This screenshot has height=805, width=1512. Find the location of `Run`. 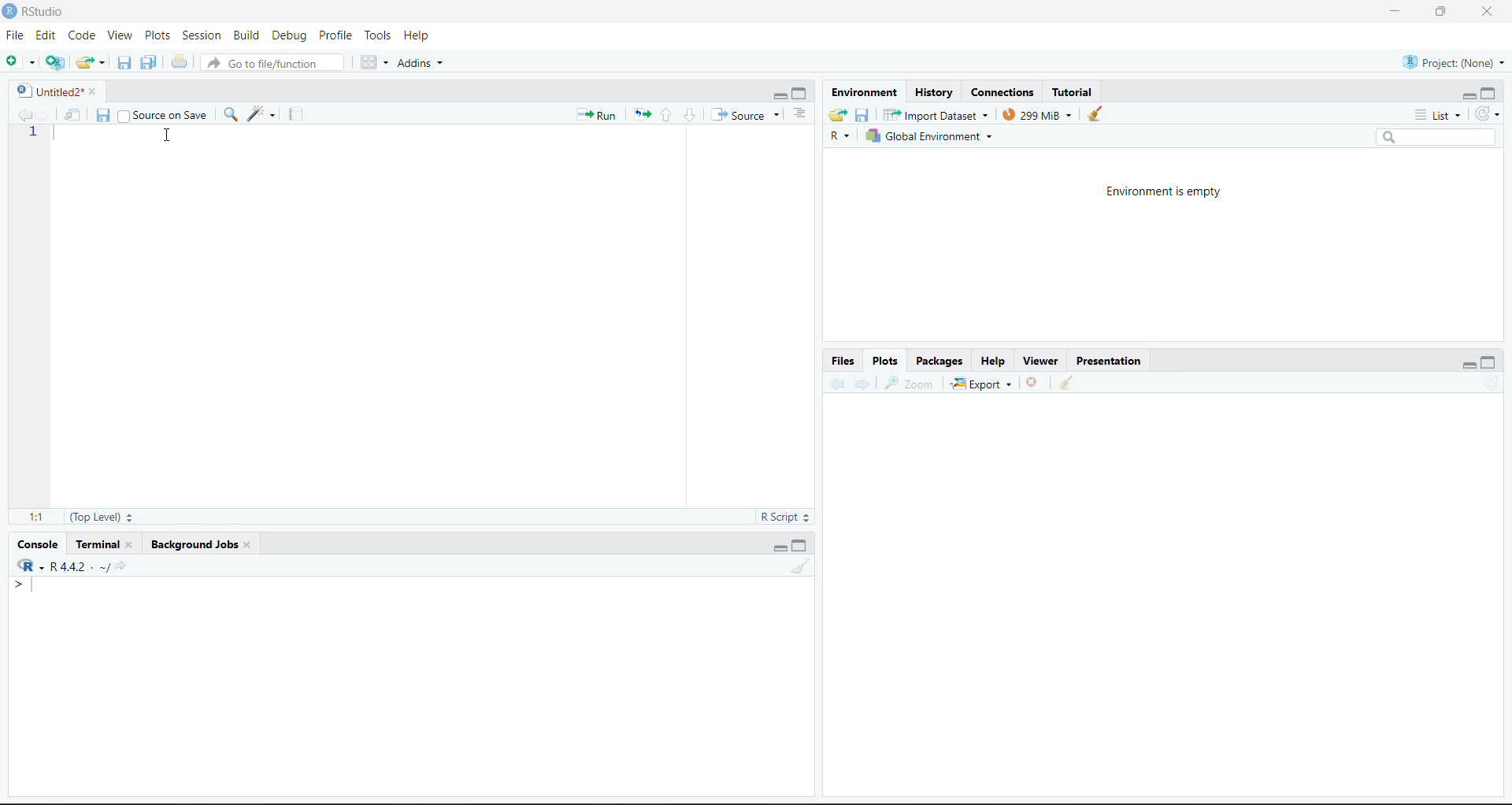

Run is located at coordinates (597, 115).